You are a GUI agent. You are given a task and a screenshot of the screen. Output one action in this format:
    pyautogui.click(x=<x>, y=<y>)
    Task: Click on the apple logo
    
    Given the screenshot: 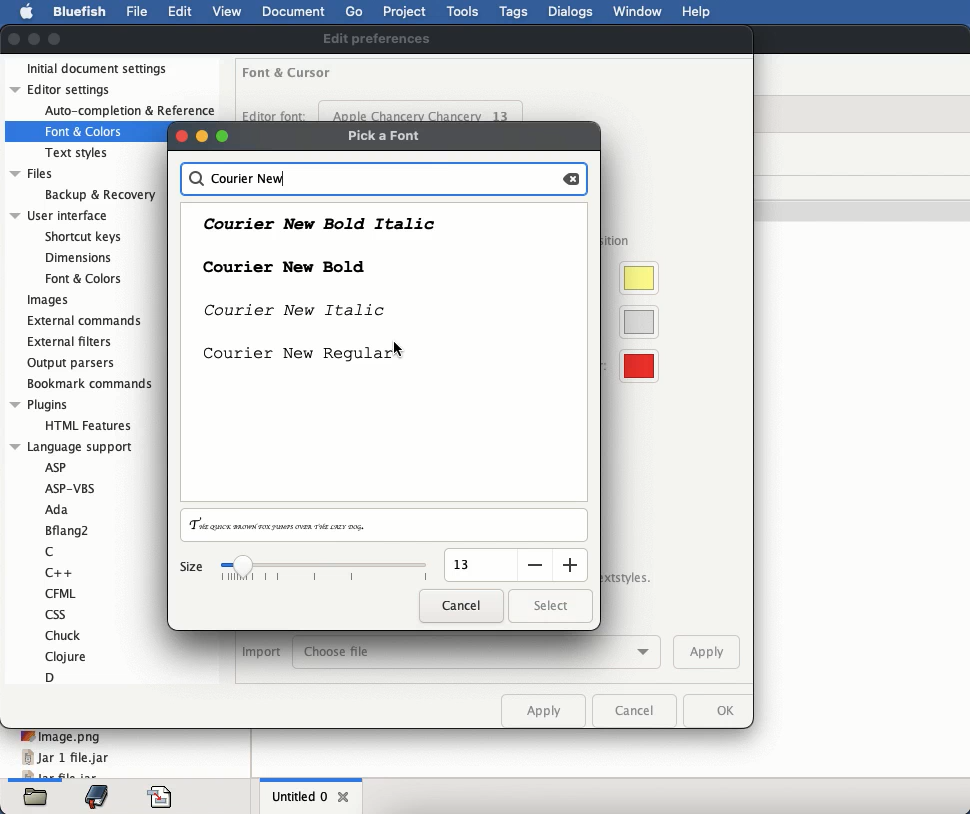 What is the action you would take?
    pyautogui.click(x=27, y=12)
    